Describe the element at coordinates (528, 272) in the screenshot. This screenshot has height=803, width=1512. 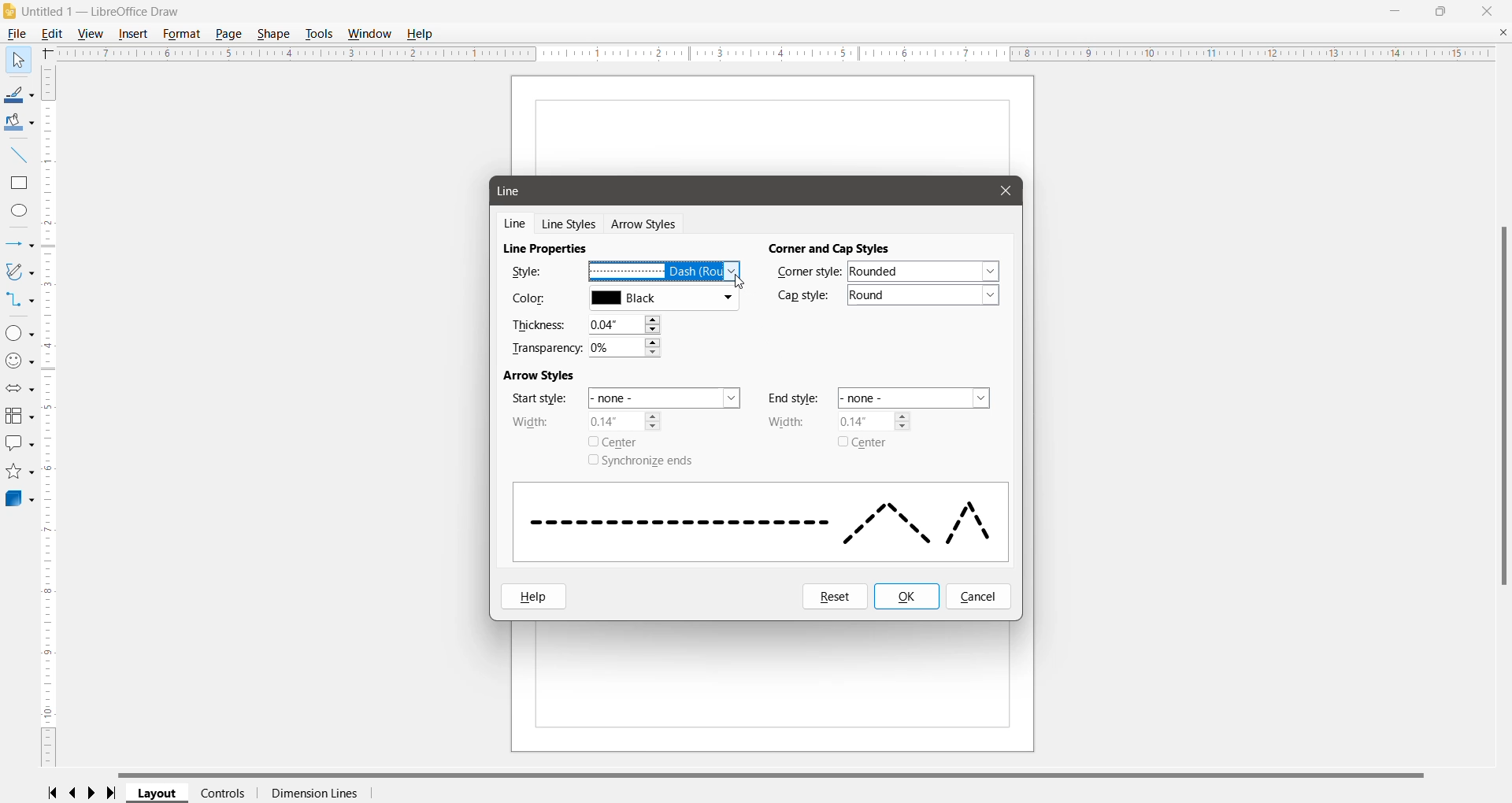
I see `Style` at that location.